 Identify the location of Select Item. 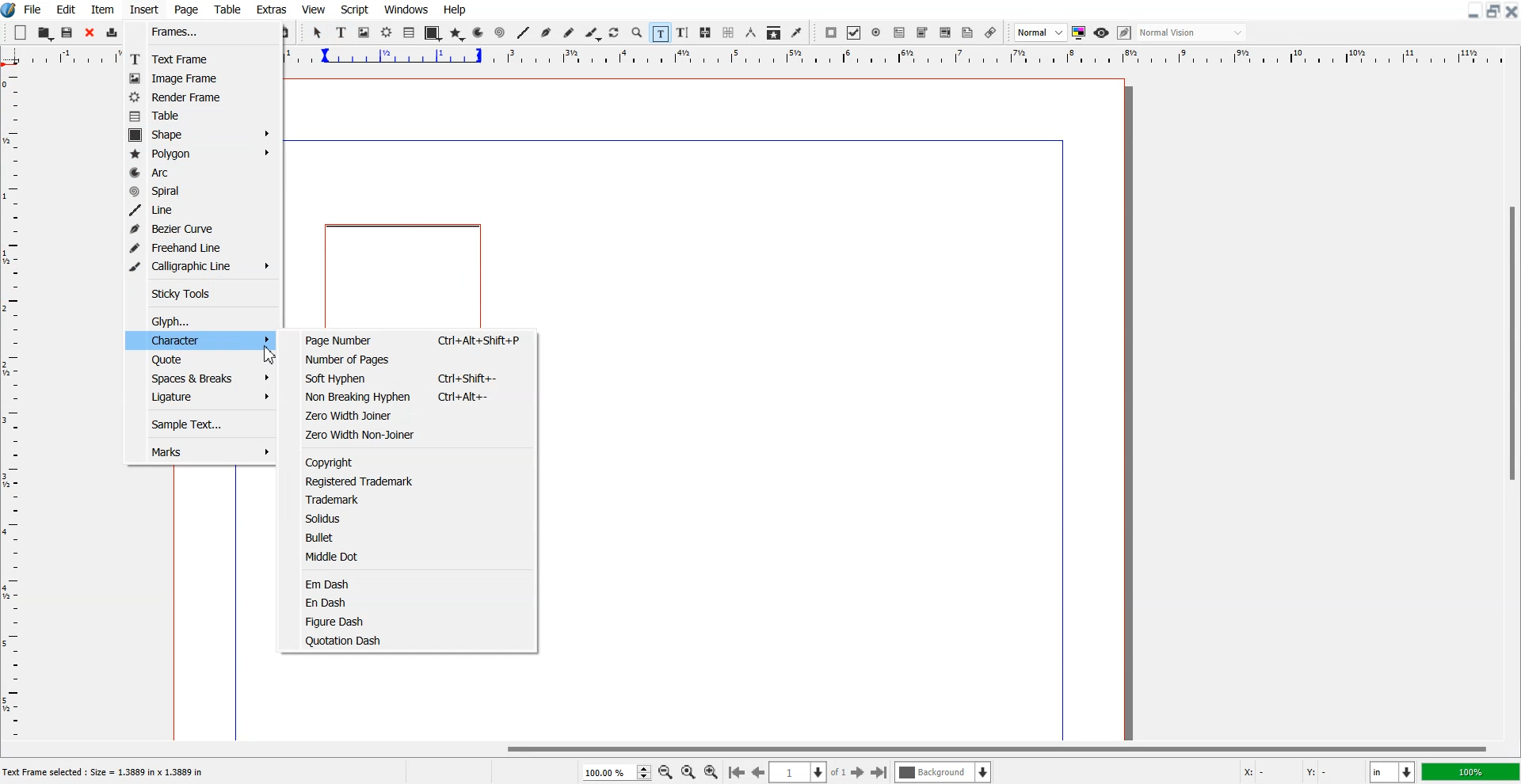
(319, 32).